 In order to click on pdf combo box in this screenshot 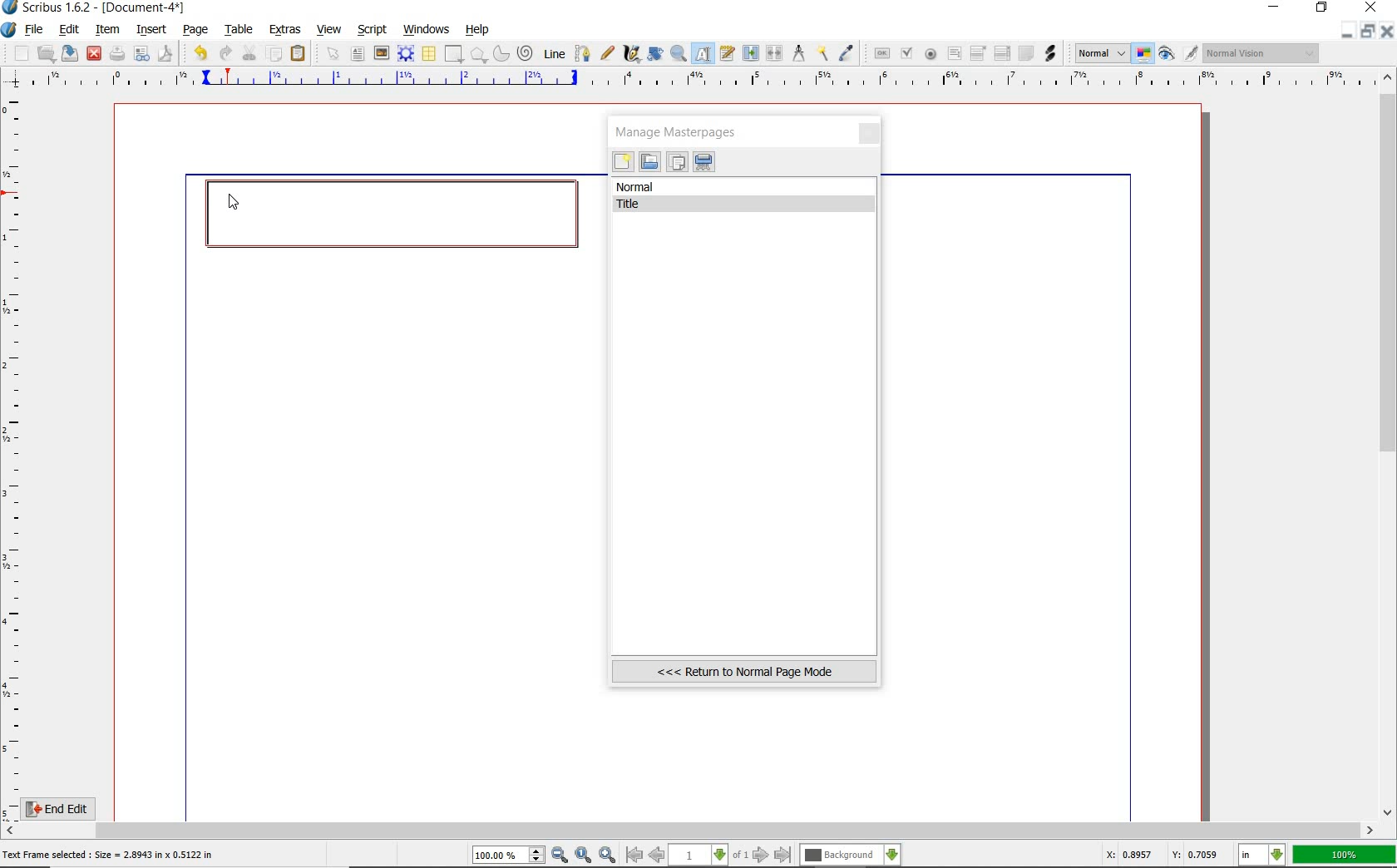, I will do `click(979, 52)`.